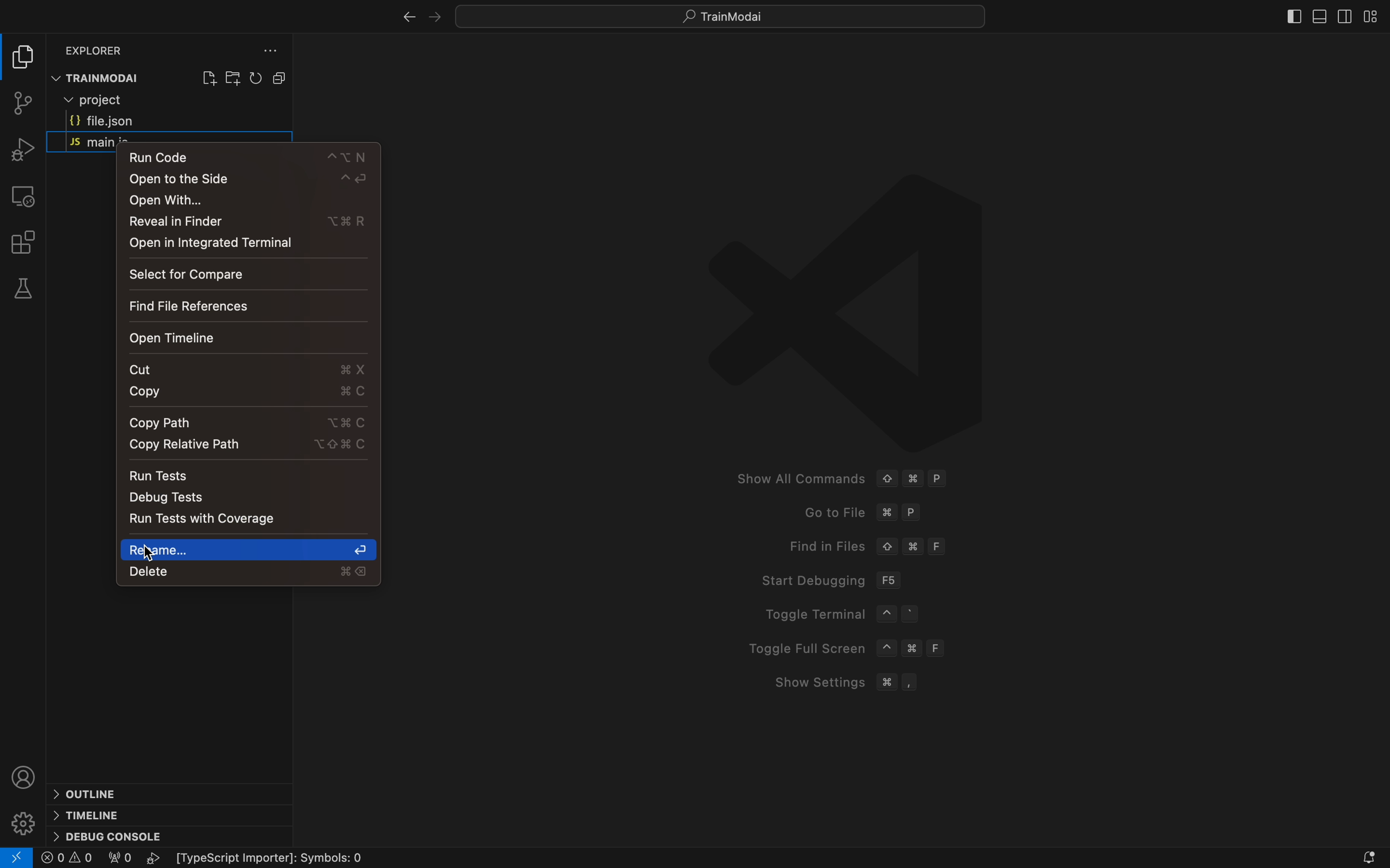 This screenshot has width=1390, height=868. What do you see at coordinates (1318, 18) in the screenshot?
I see `sidebar bottom` at bounding box center [1318, 18].